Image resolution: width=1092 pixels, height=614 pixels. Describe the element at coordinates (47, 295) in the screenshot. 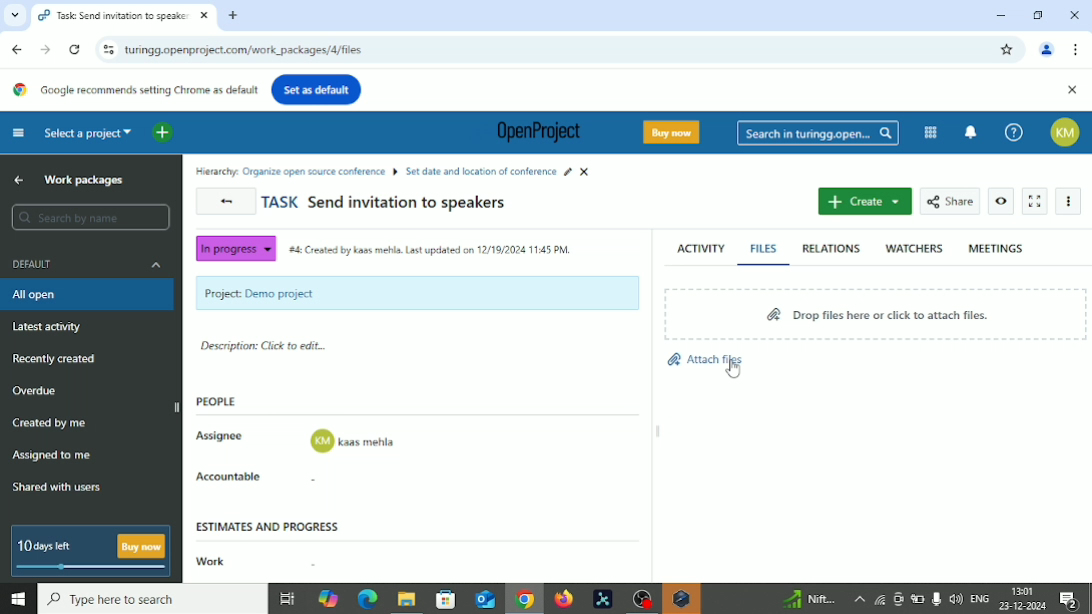

I see `All open` at that location.